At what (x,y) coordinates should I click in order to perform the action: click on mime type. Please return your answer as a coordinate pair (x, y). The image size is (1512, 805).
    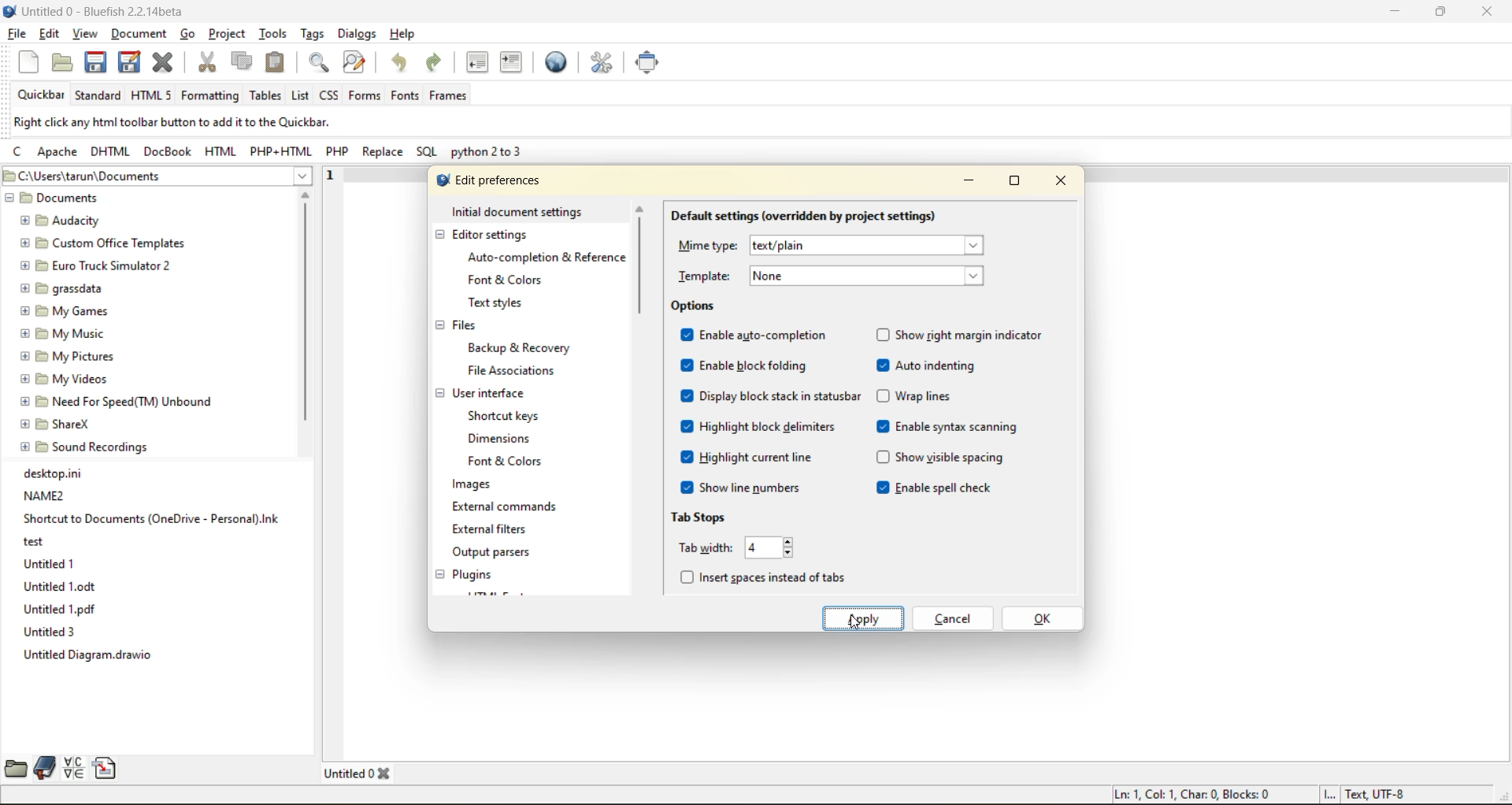
    Looking at the image, I should click on (841, 244).